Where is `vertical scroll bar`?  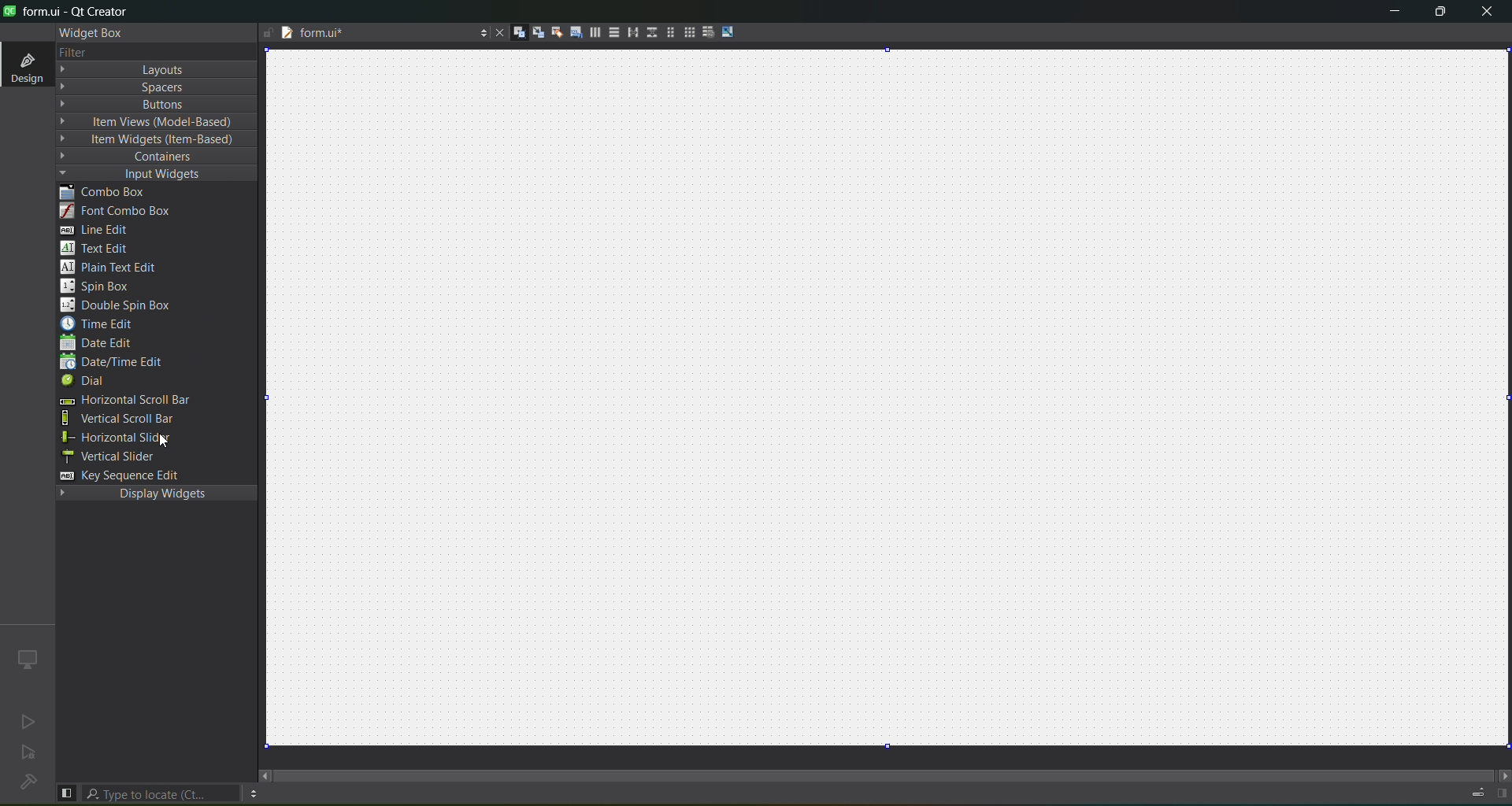 vertical scroll bar is located at coordinates (125, 421).